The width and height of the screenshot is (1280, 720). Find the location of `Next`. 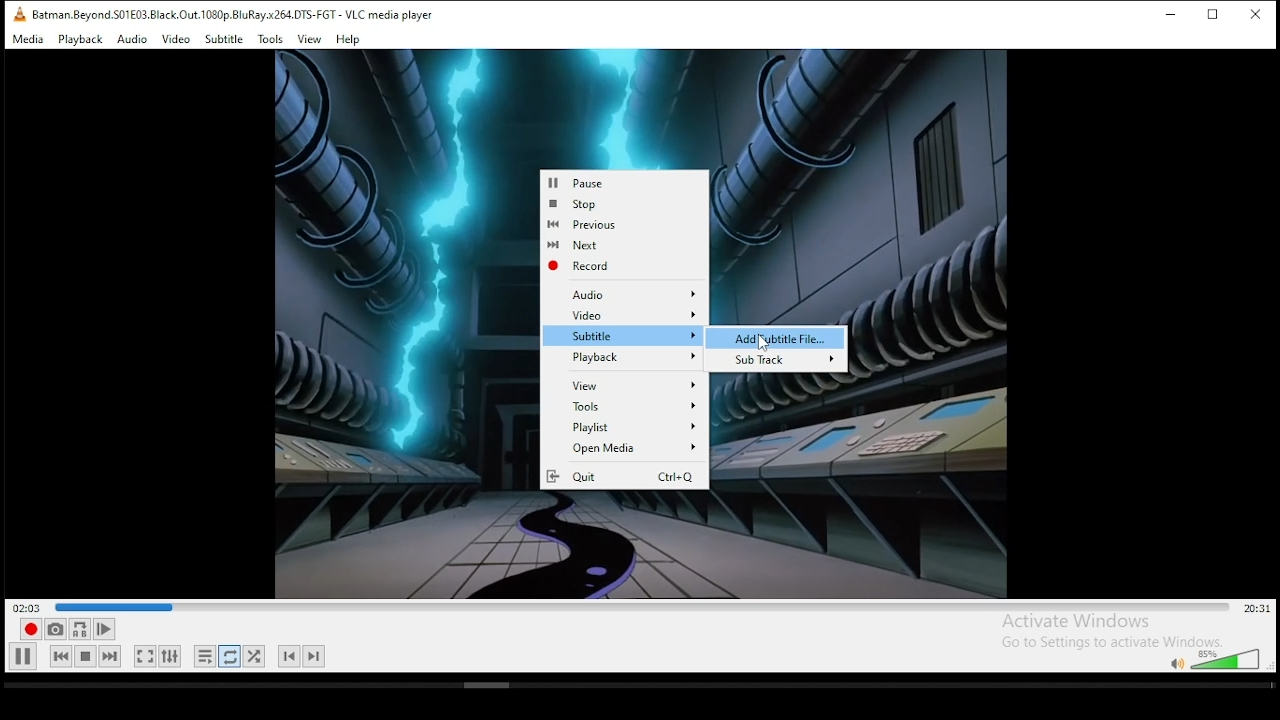

Next is located at coordinates (620, 246).